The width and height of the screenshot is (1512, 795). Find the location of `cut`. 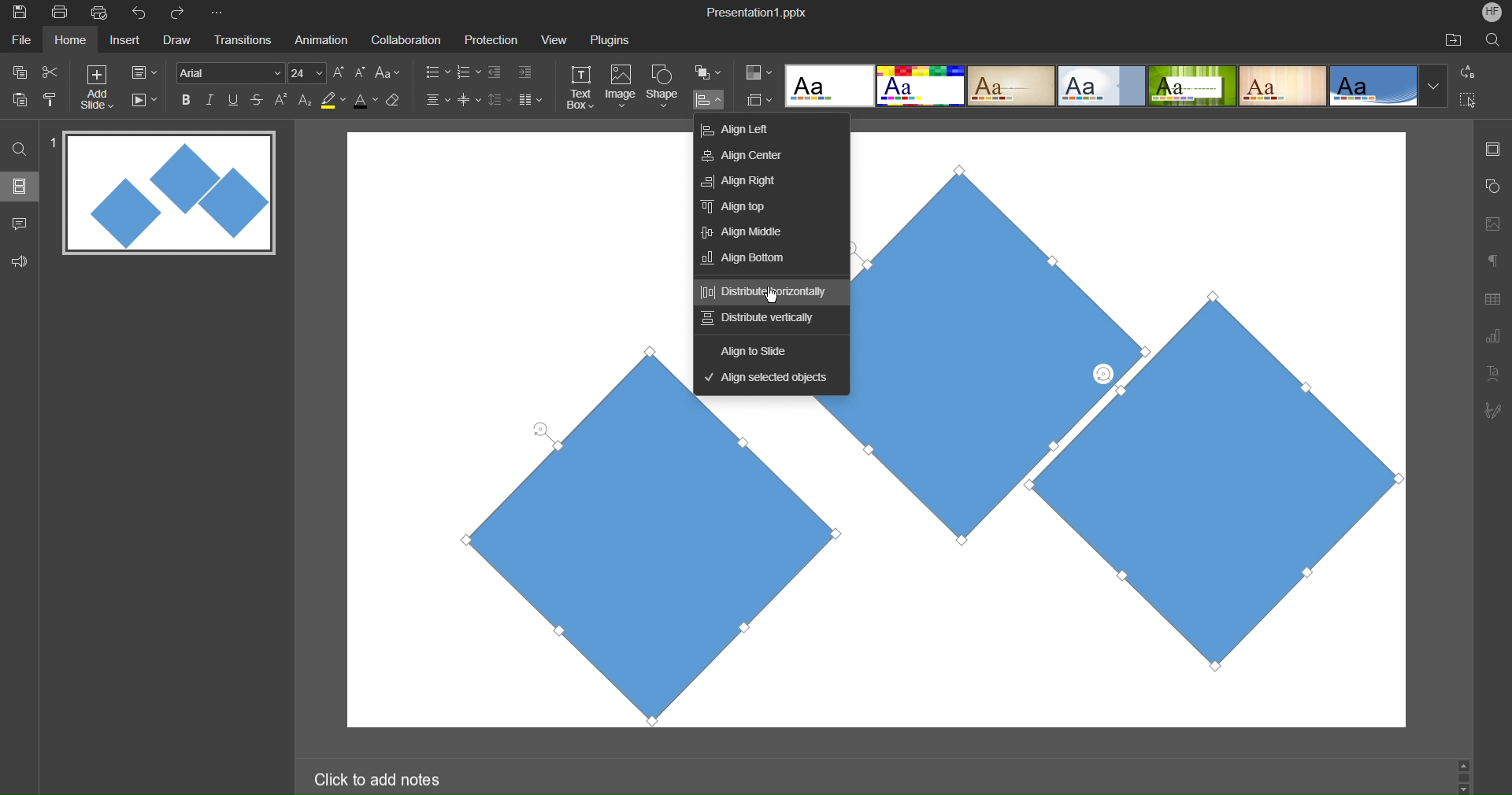

cut is located at coordinates (50, 71).